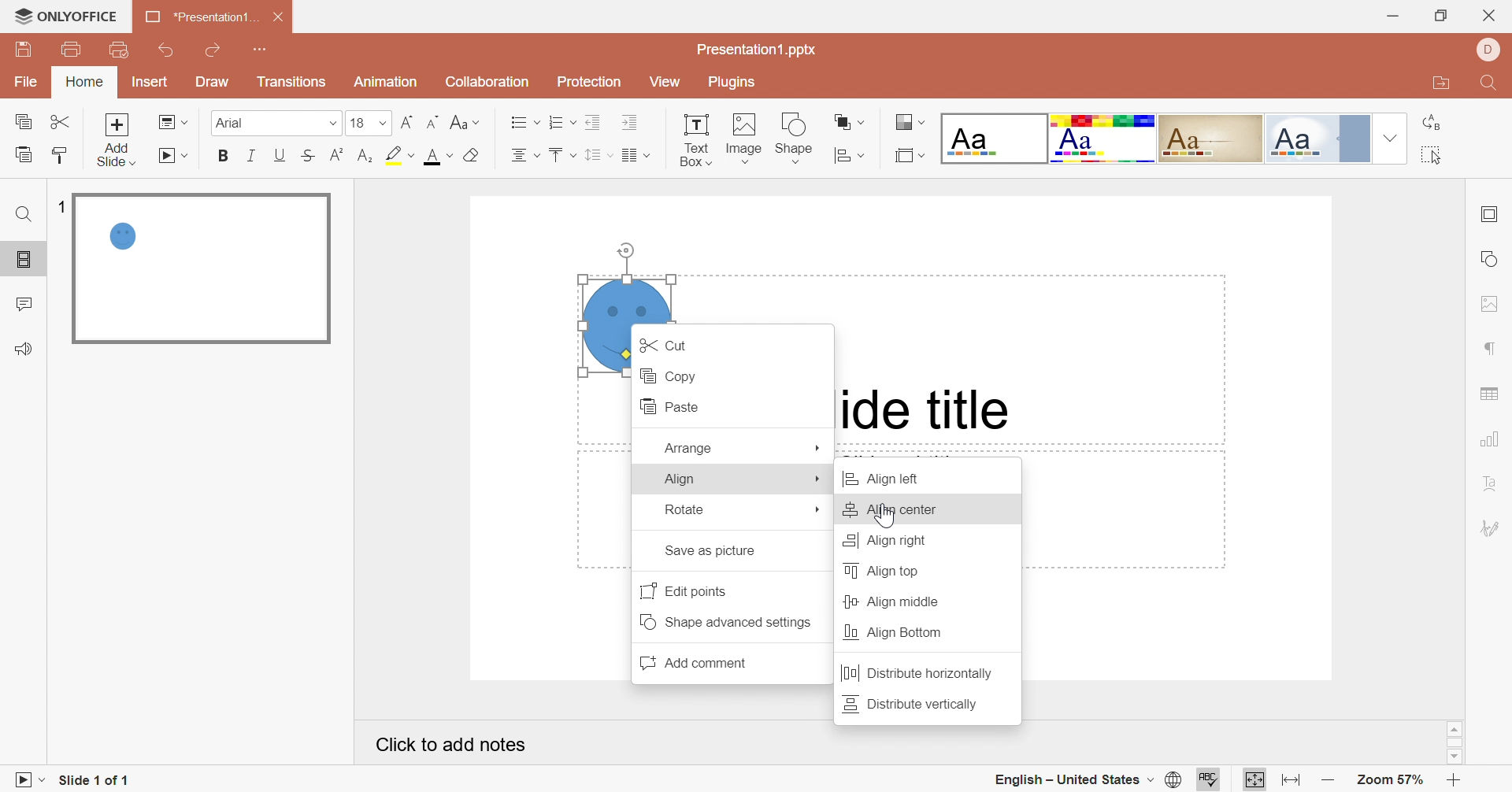 This screenshot has width=1512, height=792. Describe the element at coordinates (850, 125) in the screenshot. I see `Arrange shape` at that location.